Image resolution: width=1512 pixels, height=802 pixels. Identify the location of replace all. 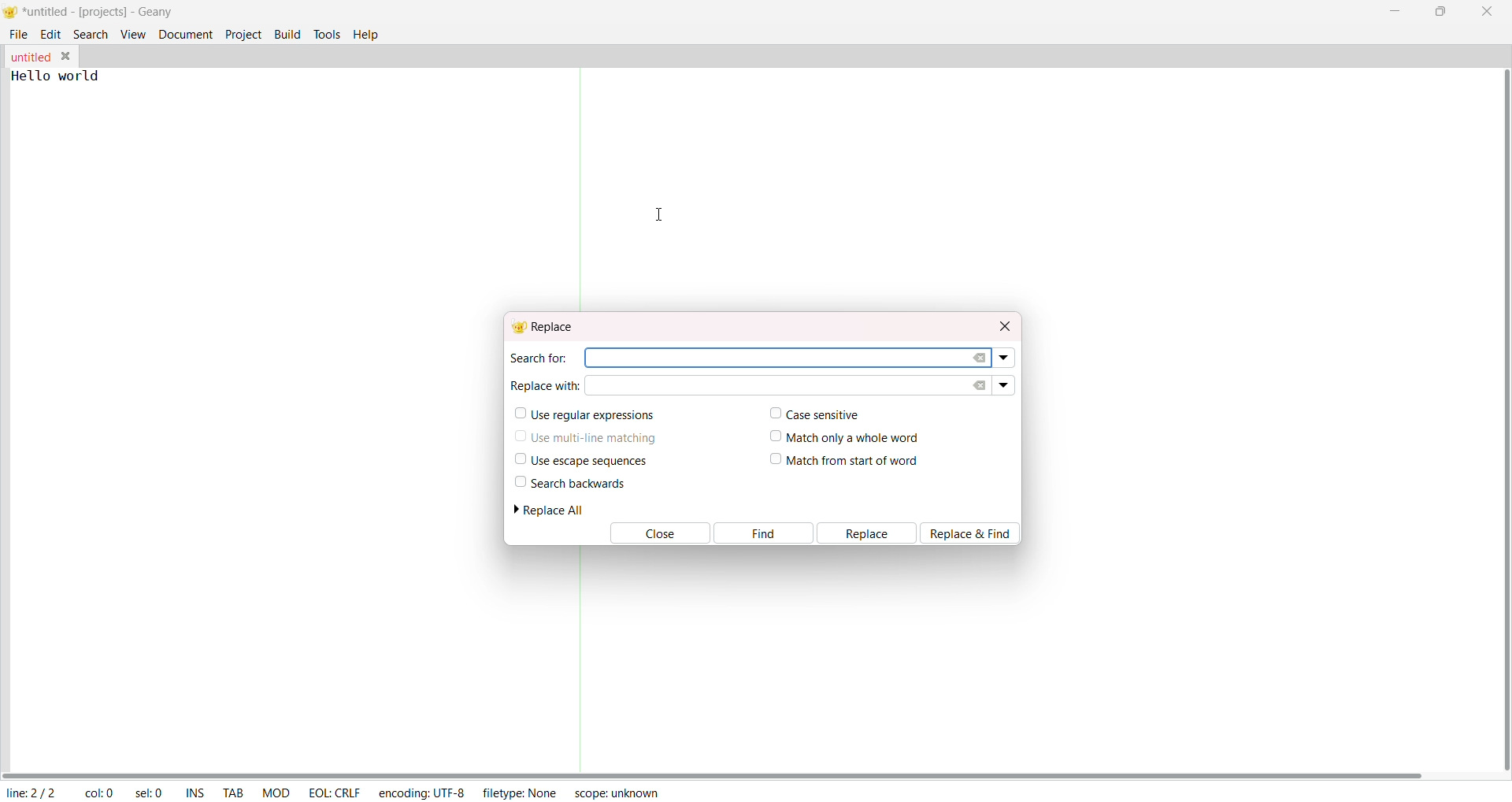
(552, 509).